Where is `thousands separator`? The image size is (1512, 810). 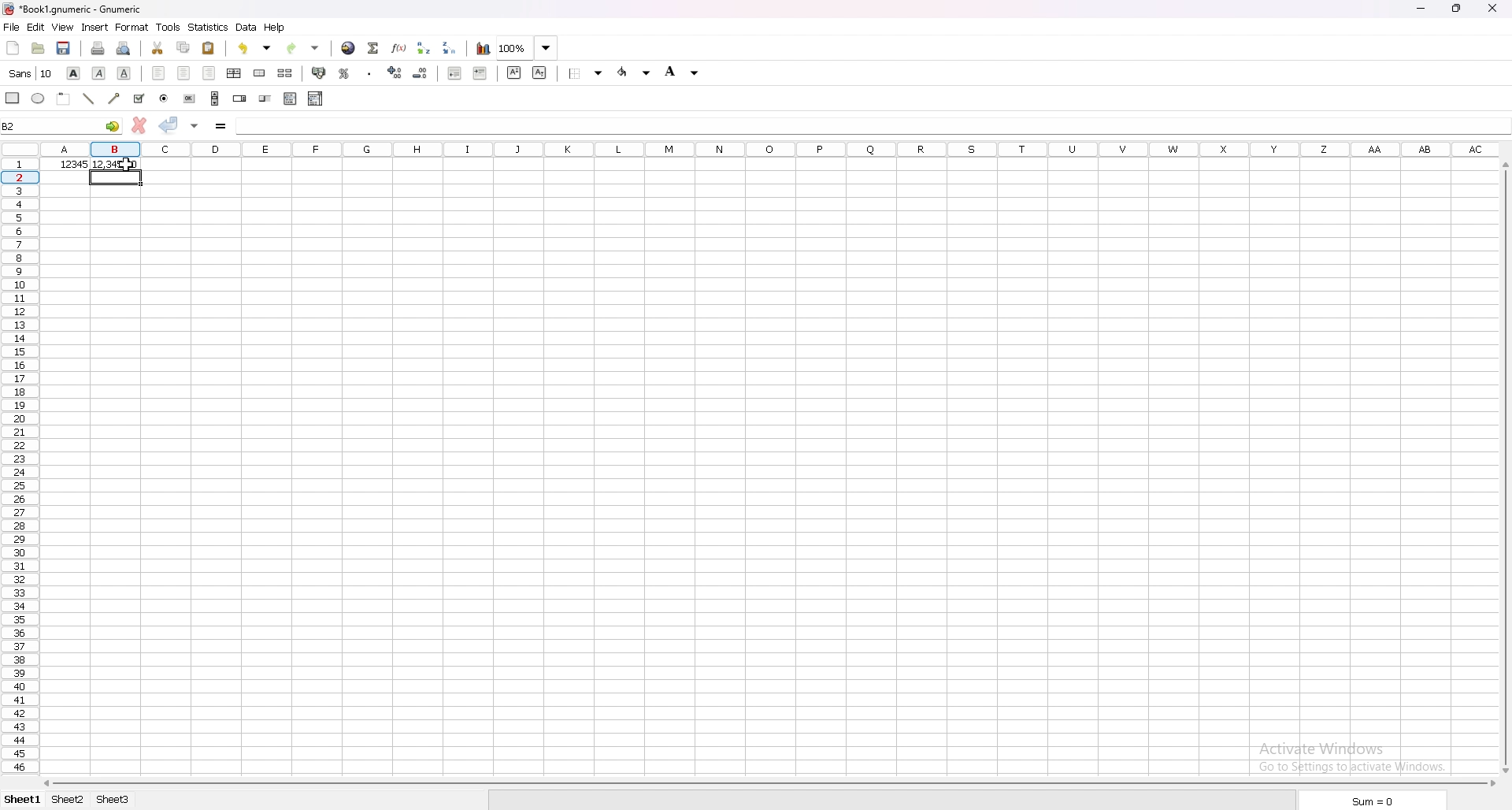
thousands separator is located at coordinates (370, 73).